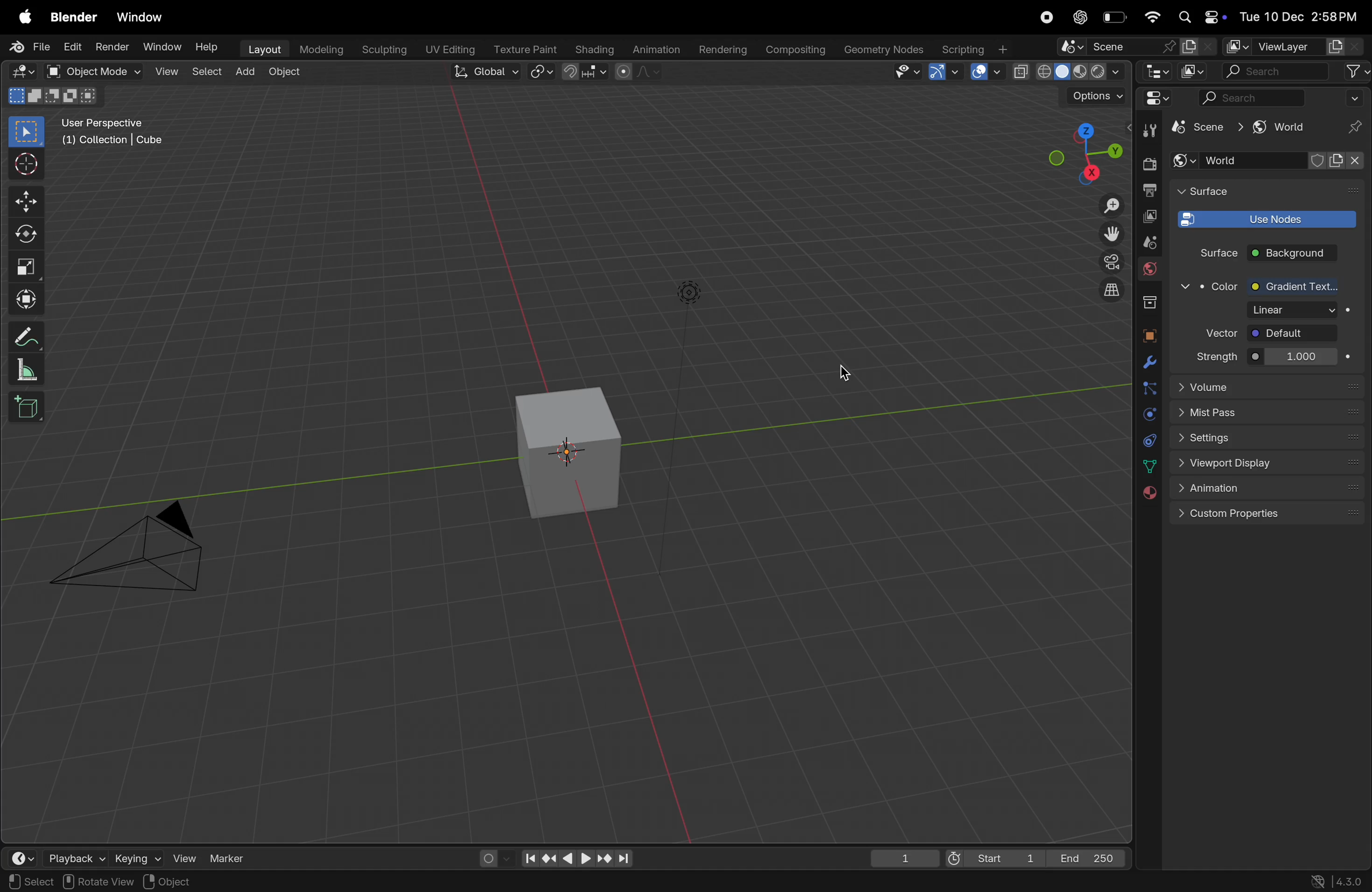  I want to click on Region, so click(115, 881).